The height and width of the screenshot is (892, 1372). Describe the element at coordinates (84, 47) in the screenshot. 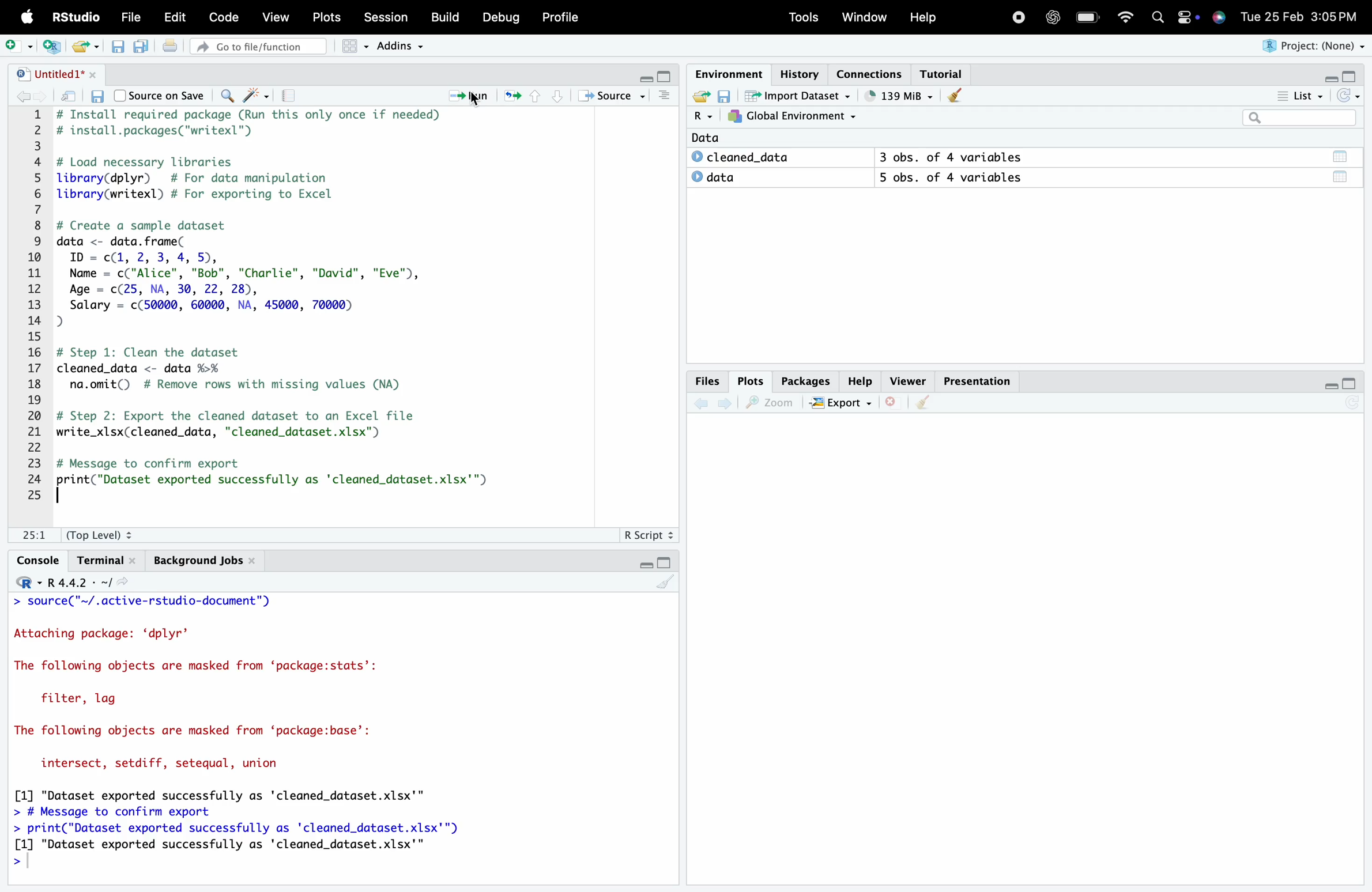

I see `Open an existing file (Ctrl + O)` at that location.